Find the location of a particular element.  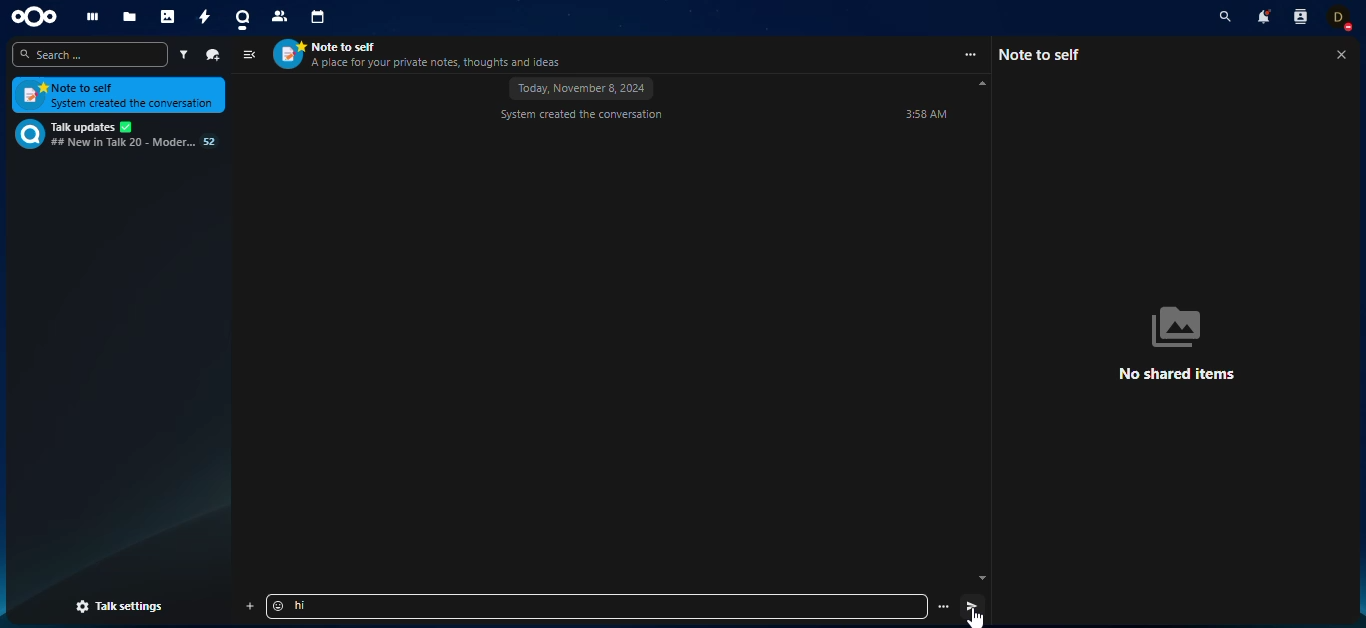

chat is located at coordinates (114, 134).